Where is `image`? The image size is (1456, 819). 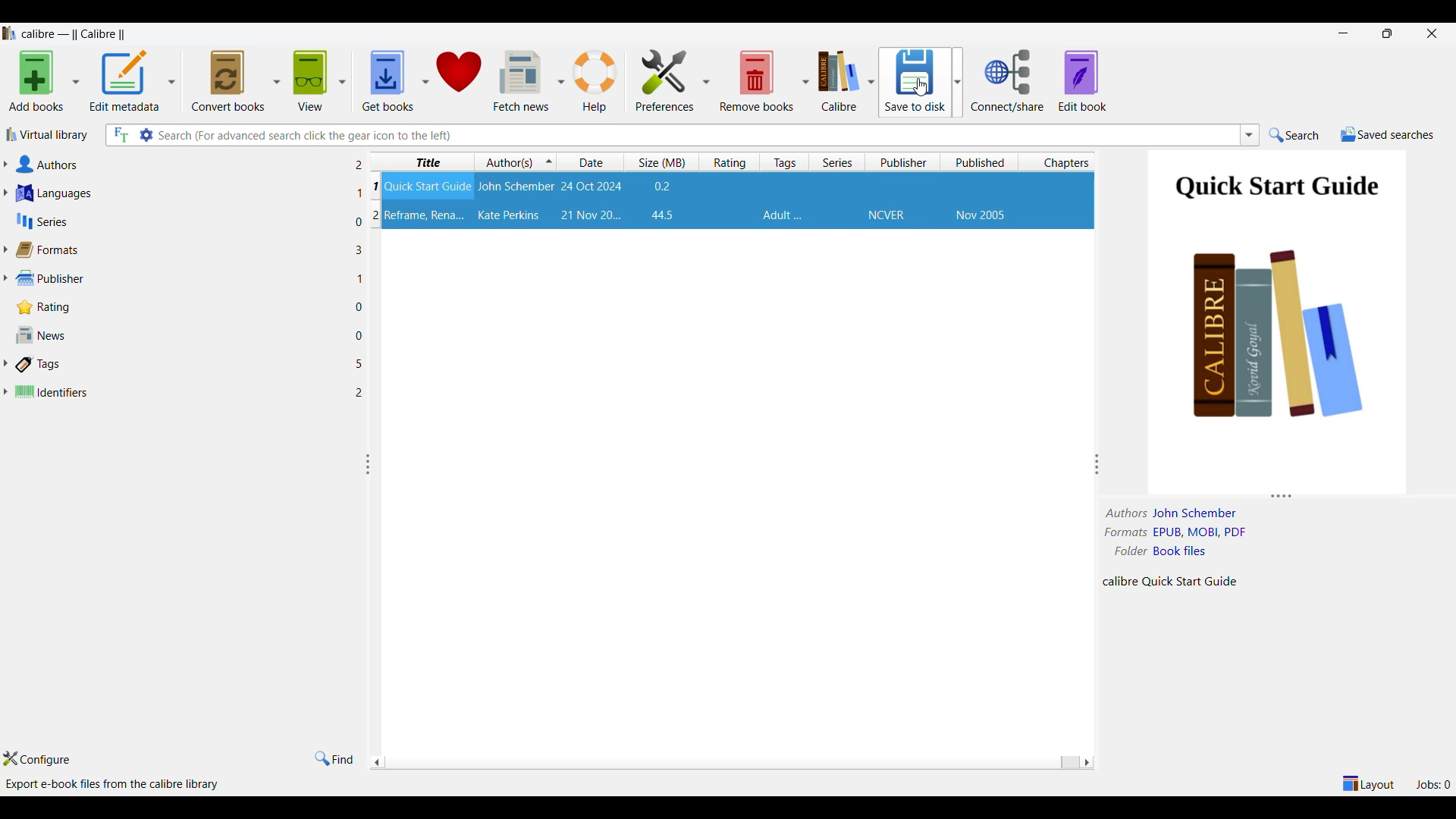
image is located at coordinates (1281, 354).